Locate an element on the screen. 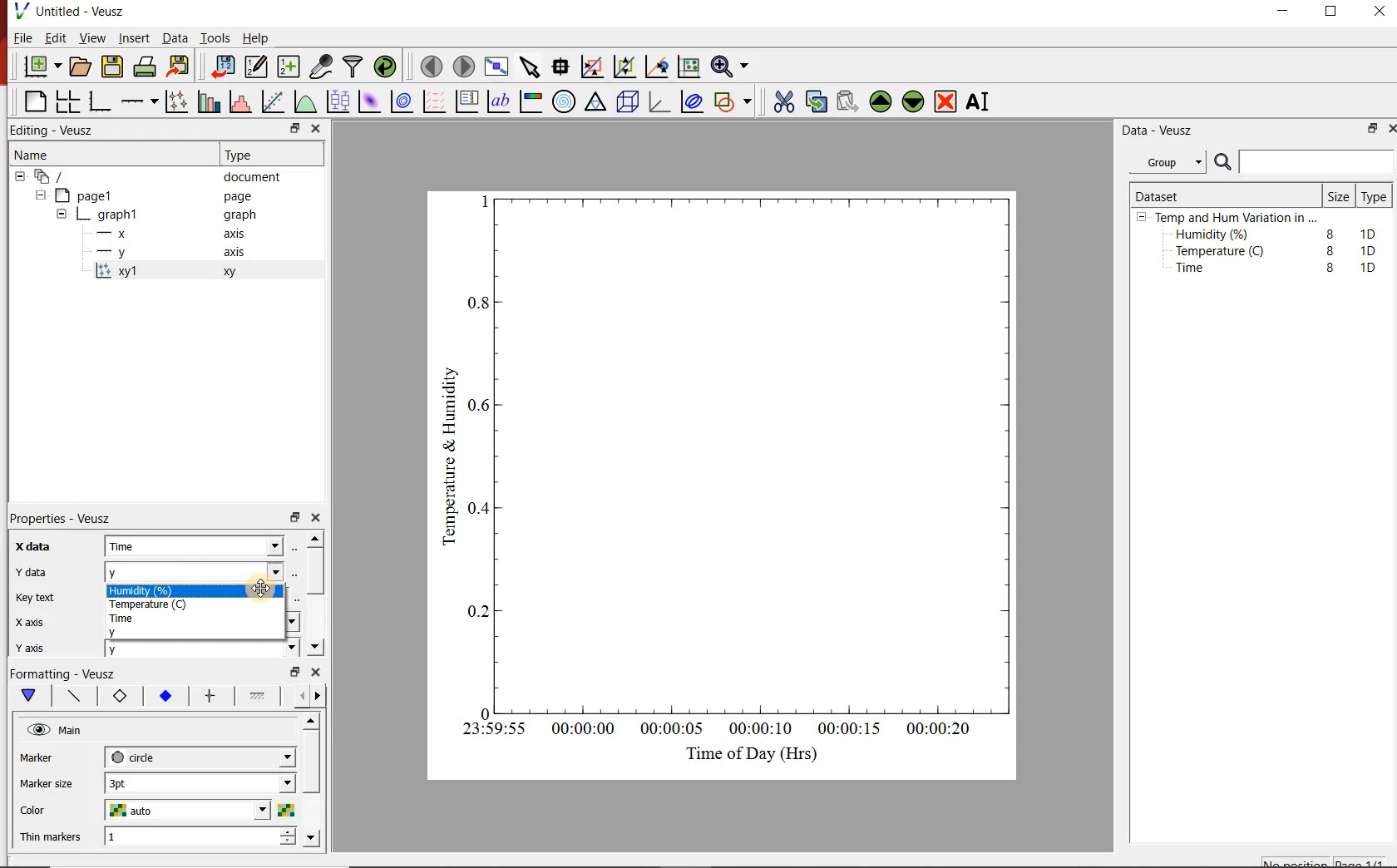 The height and width of the screenshot is (868, 1397). close is located at coordinates (1380, 12).